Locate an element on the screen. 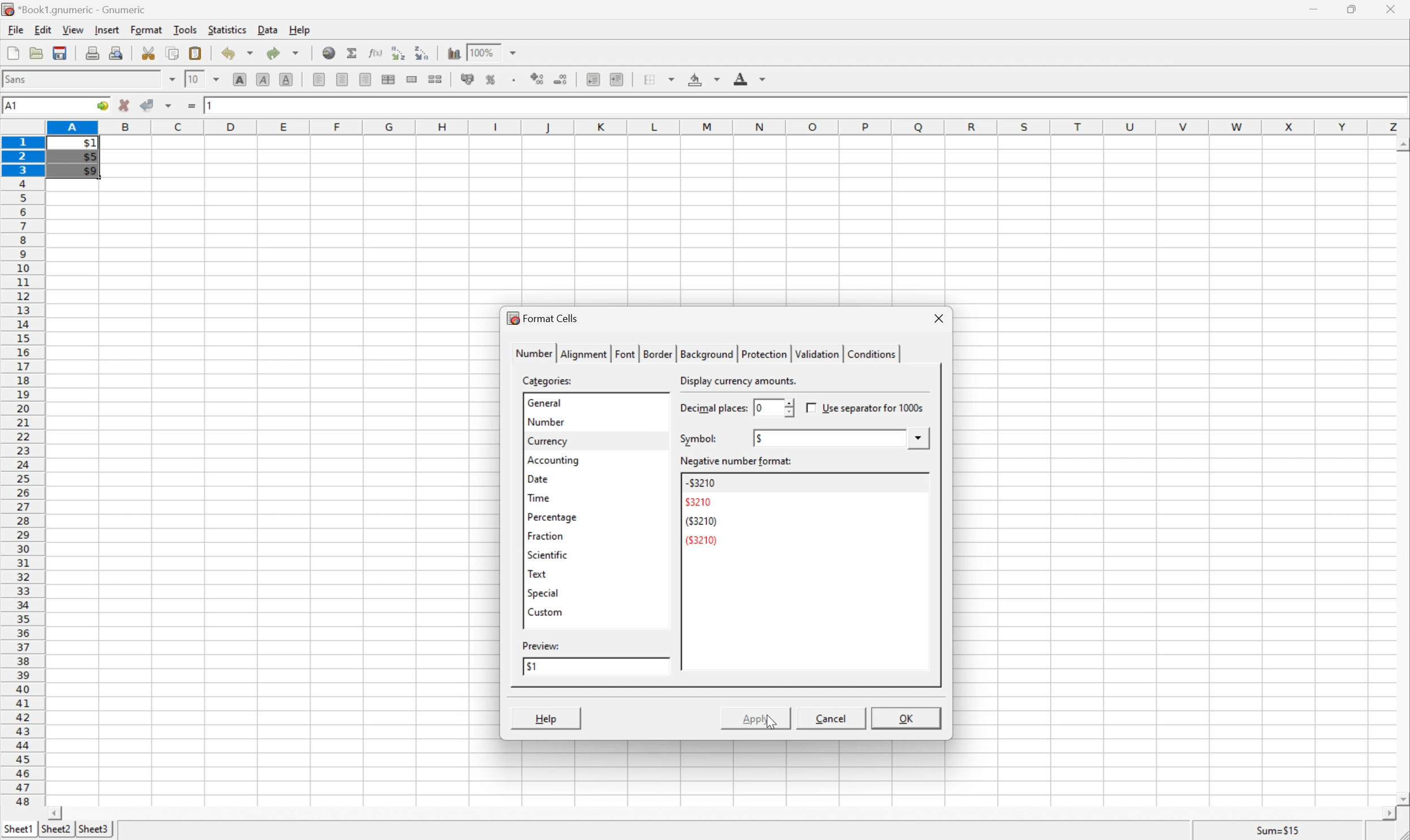  $9 is located at coordinates (89, 173).